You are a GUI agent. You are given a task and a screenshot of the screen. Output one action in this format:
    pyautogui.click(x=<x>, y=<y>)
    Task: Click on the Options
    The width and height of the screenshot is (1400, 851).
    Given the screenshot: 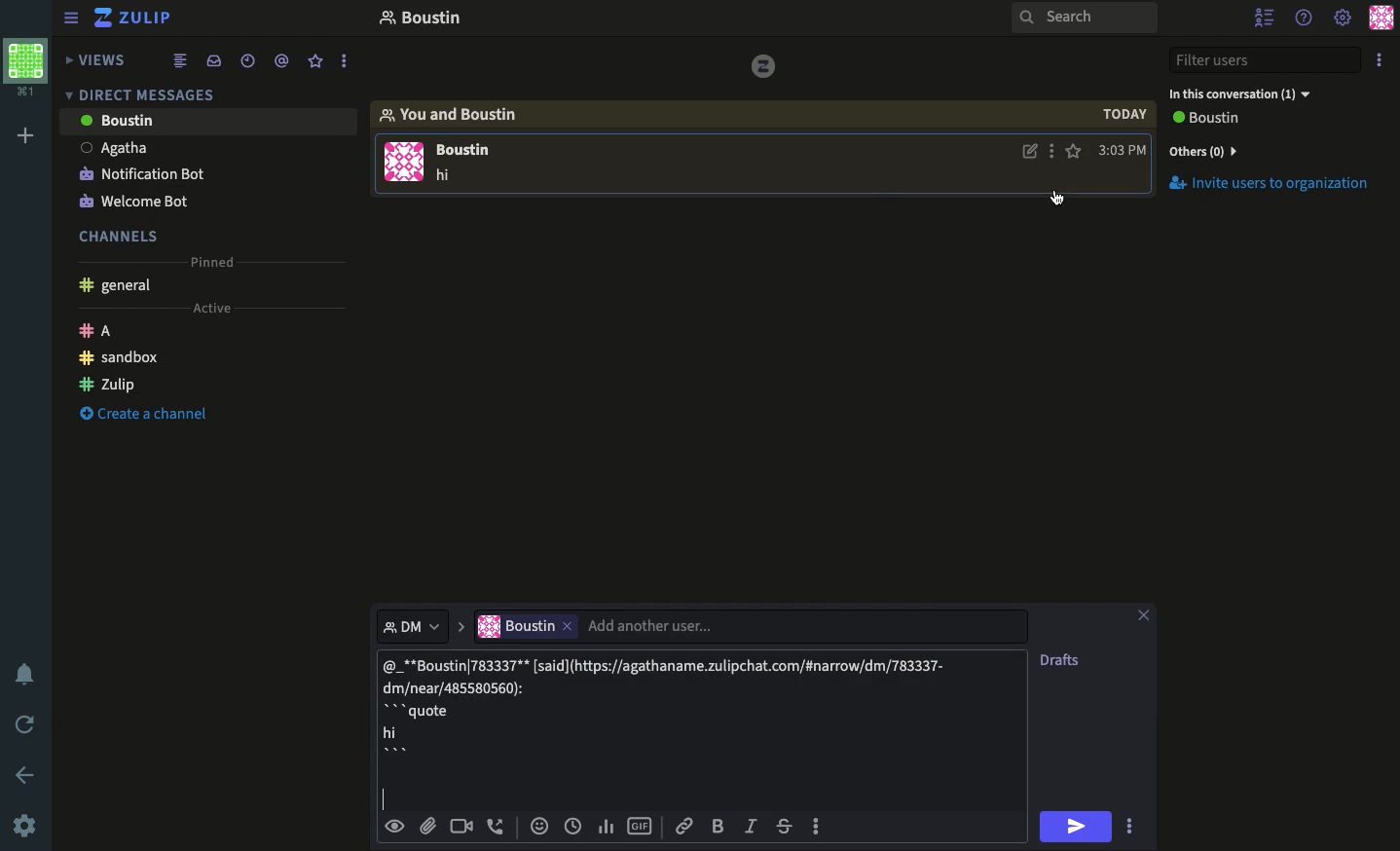 What is the action you would take?
    pyautogui.click(x=816, y=824)
    